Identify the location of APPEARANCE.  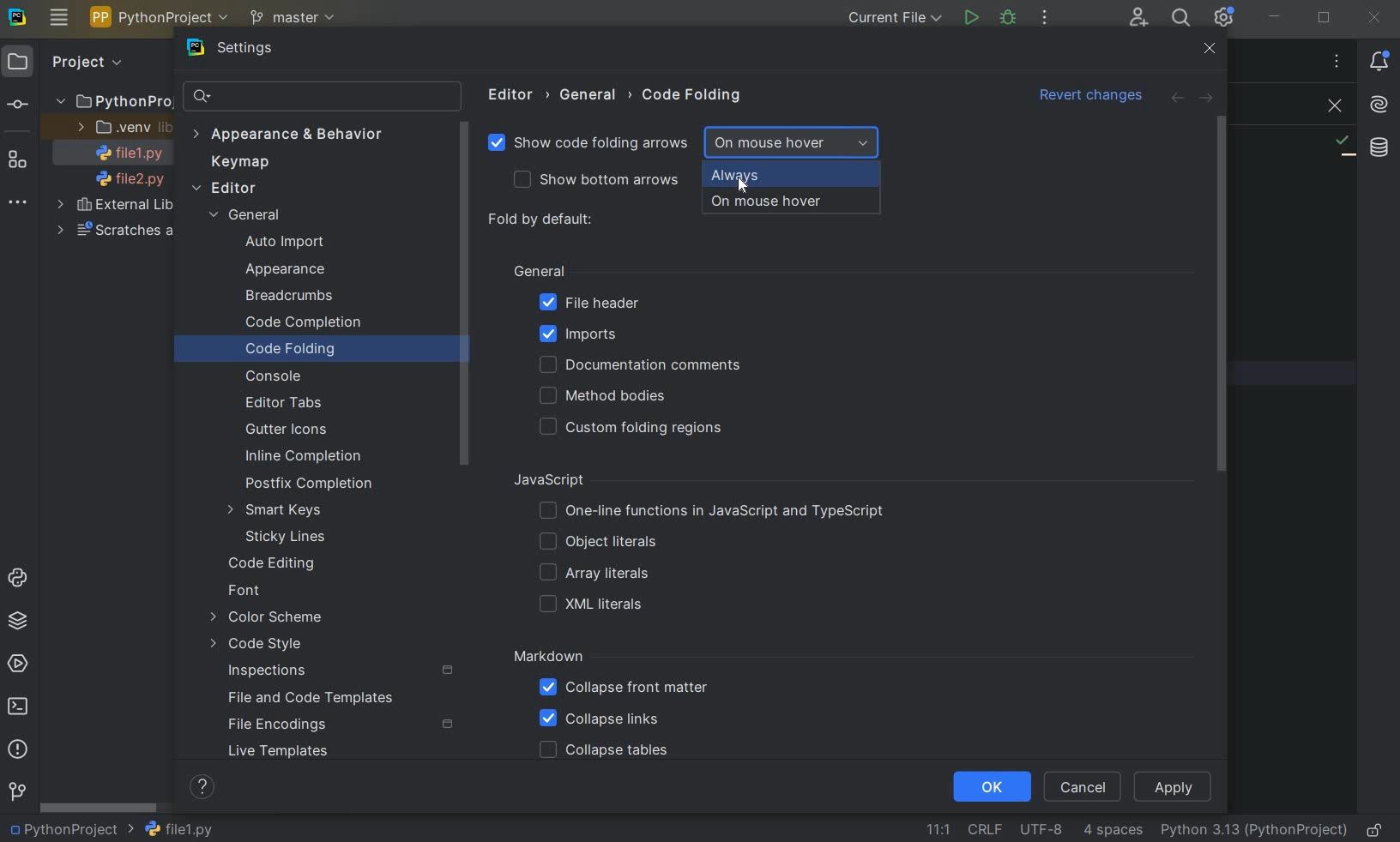
(301, 271).